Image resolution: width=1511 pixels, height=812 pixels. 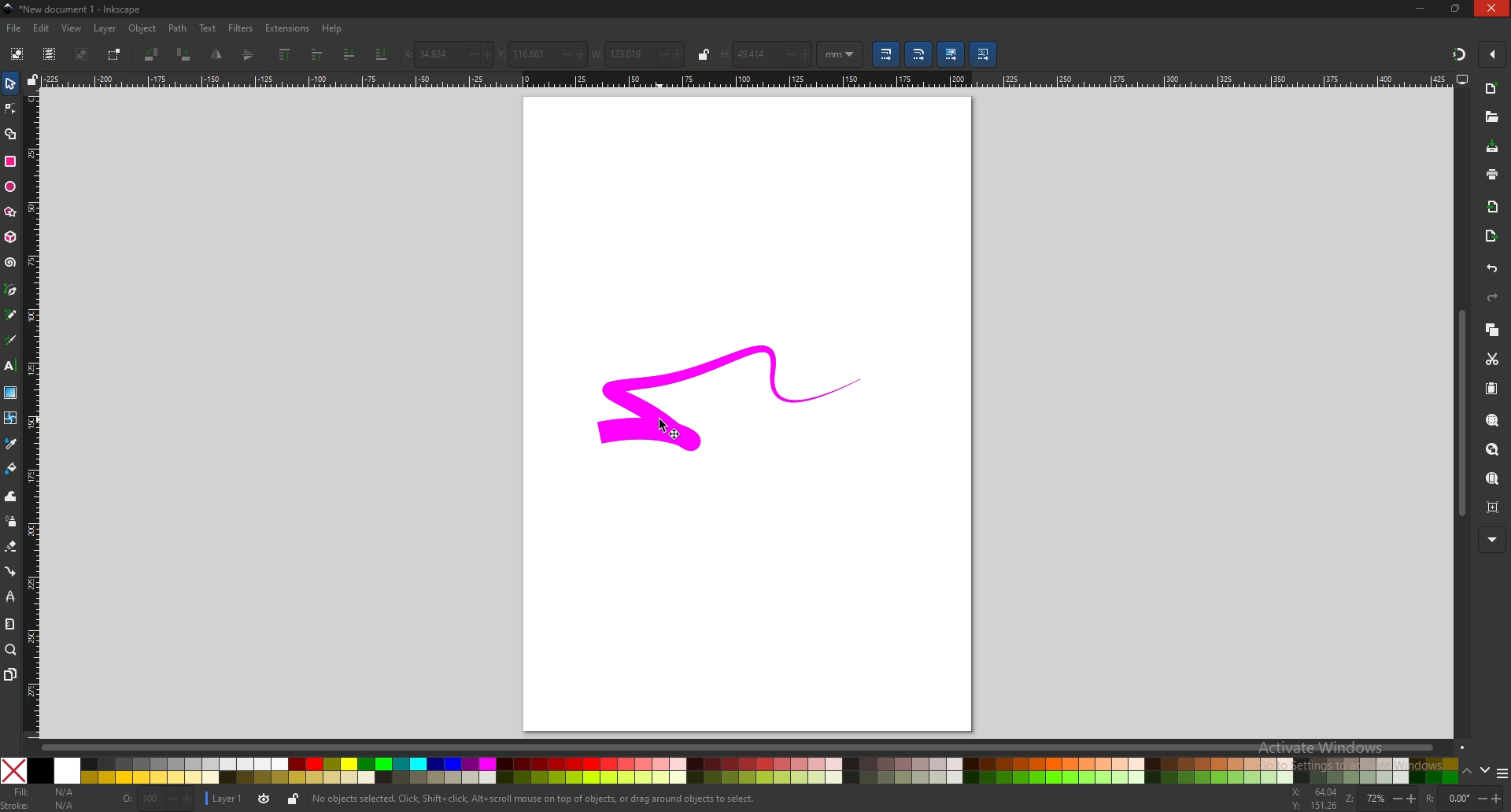 I want to click on rotate 90 degree cw, so click(x=186, y=54).